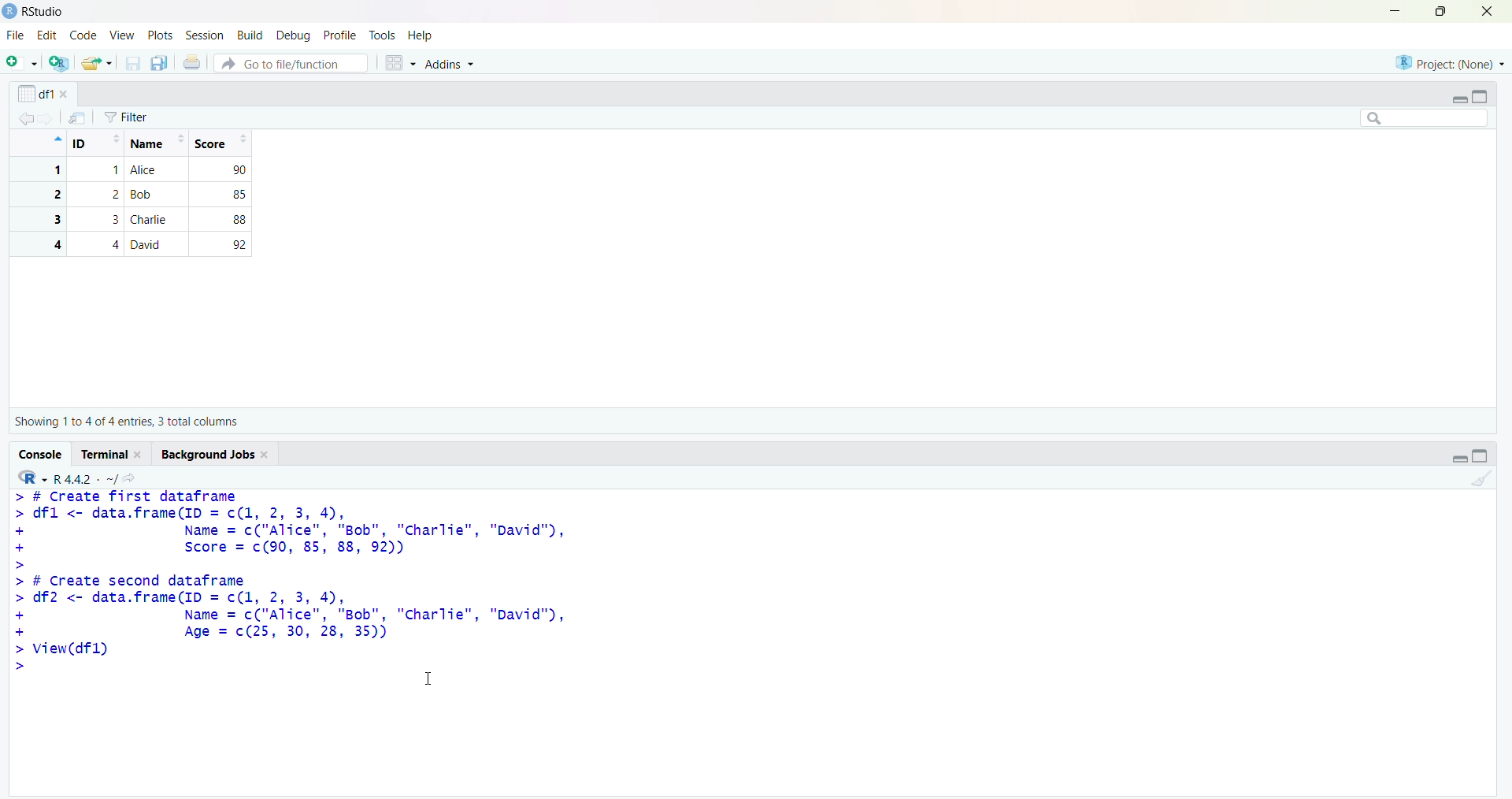 The image size is (1512, 799). What do you see at coordinates (1480, 455) in the screenshot?
I see `toggle full view` at bounding box center [1480, 455].